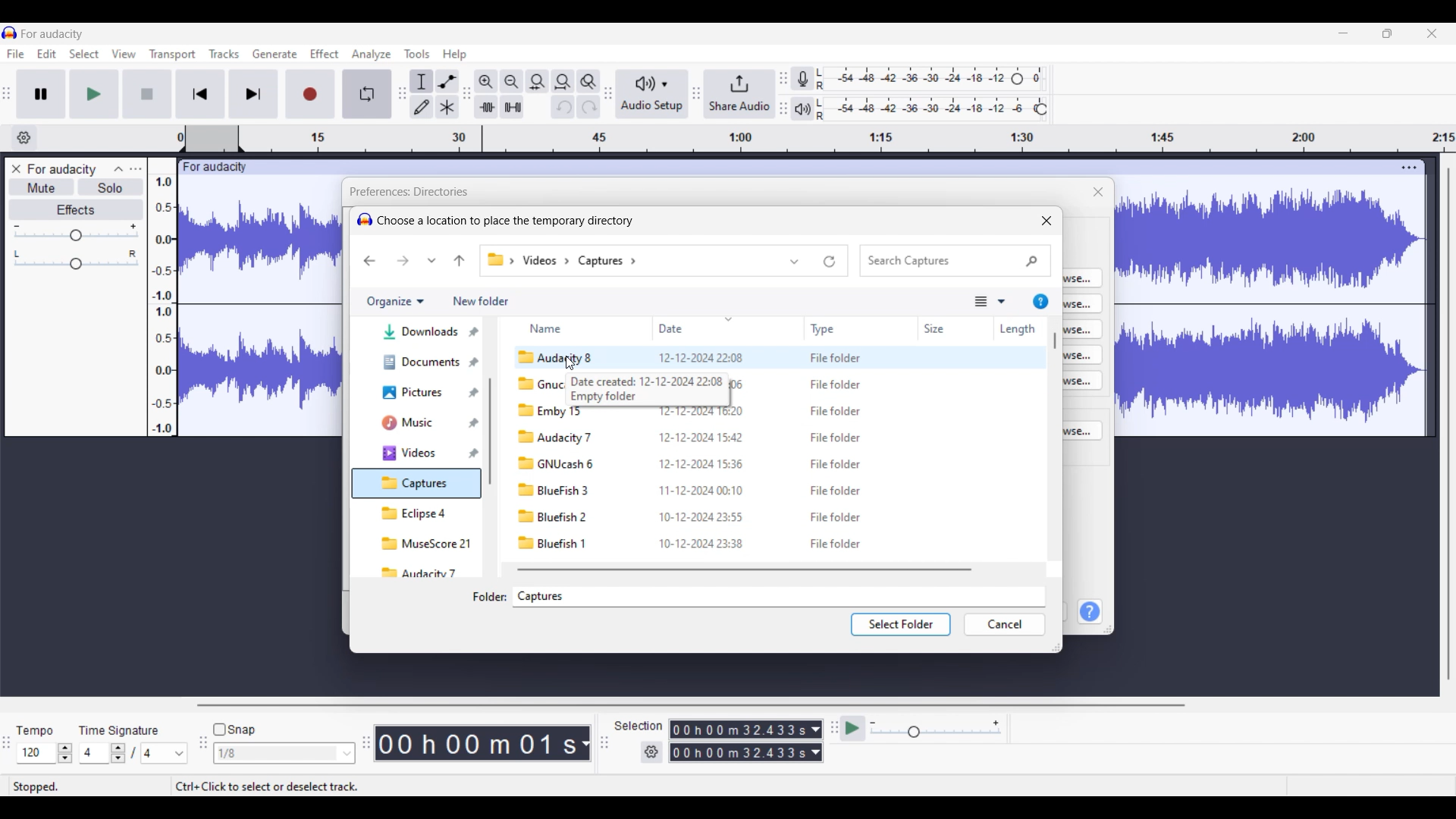 Image resolution: width=1456 pixels, height=819 pixels. What do you see at coordinates (372, 55) in the screenshot?
I see `Analyze menu` at bounding box center [372, 55].